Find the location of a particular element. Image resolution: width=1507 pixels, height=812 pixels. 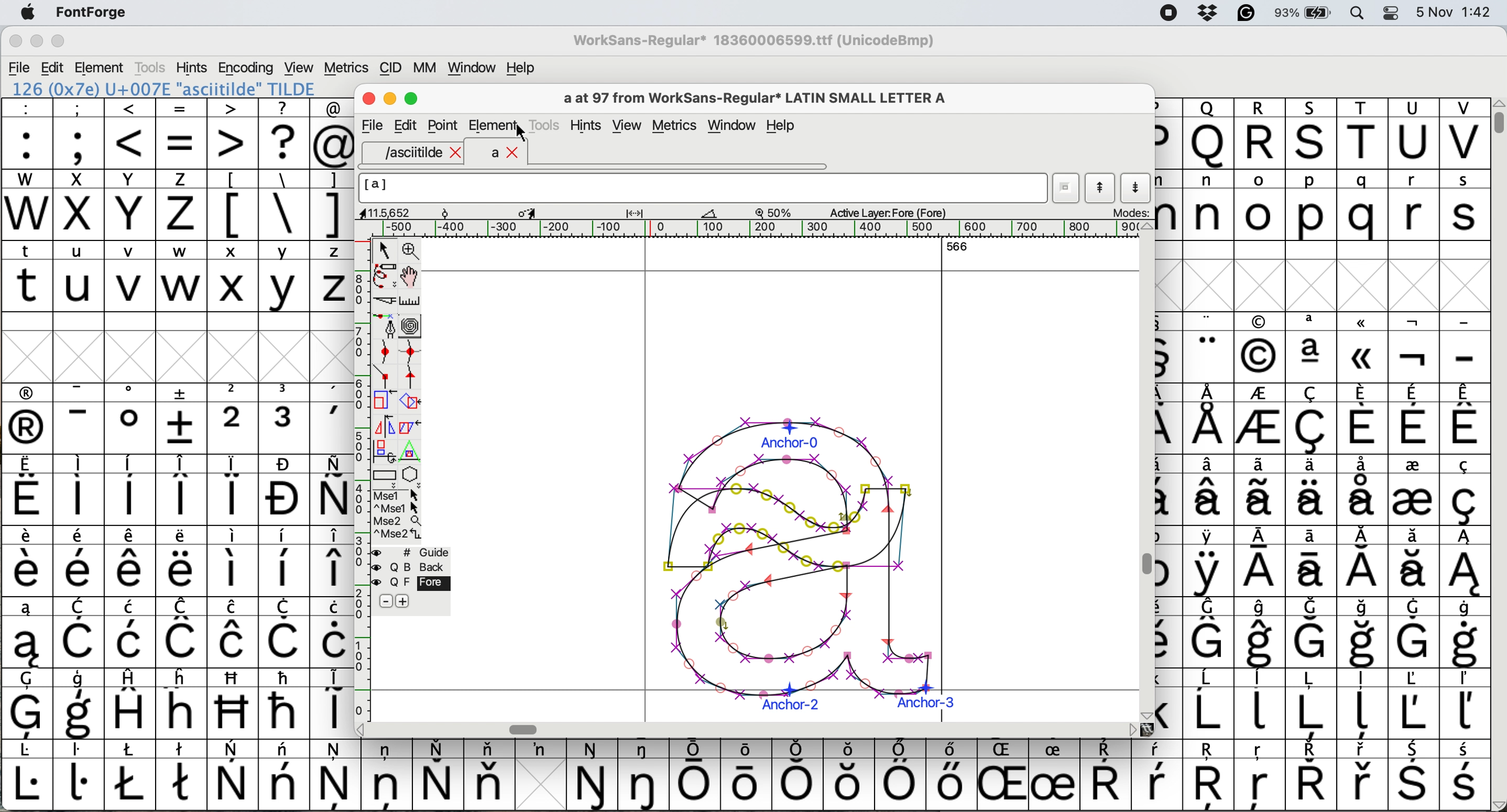

symbol is located at coordinates (286, 418).